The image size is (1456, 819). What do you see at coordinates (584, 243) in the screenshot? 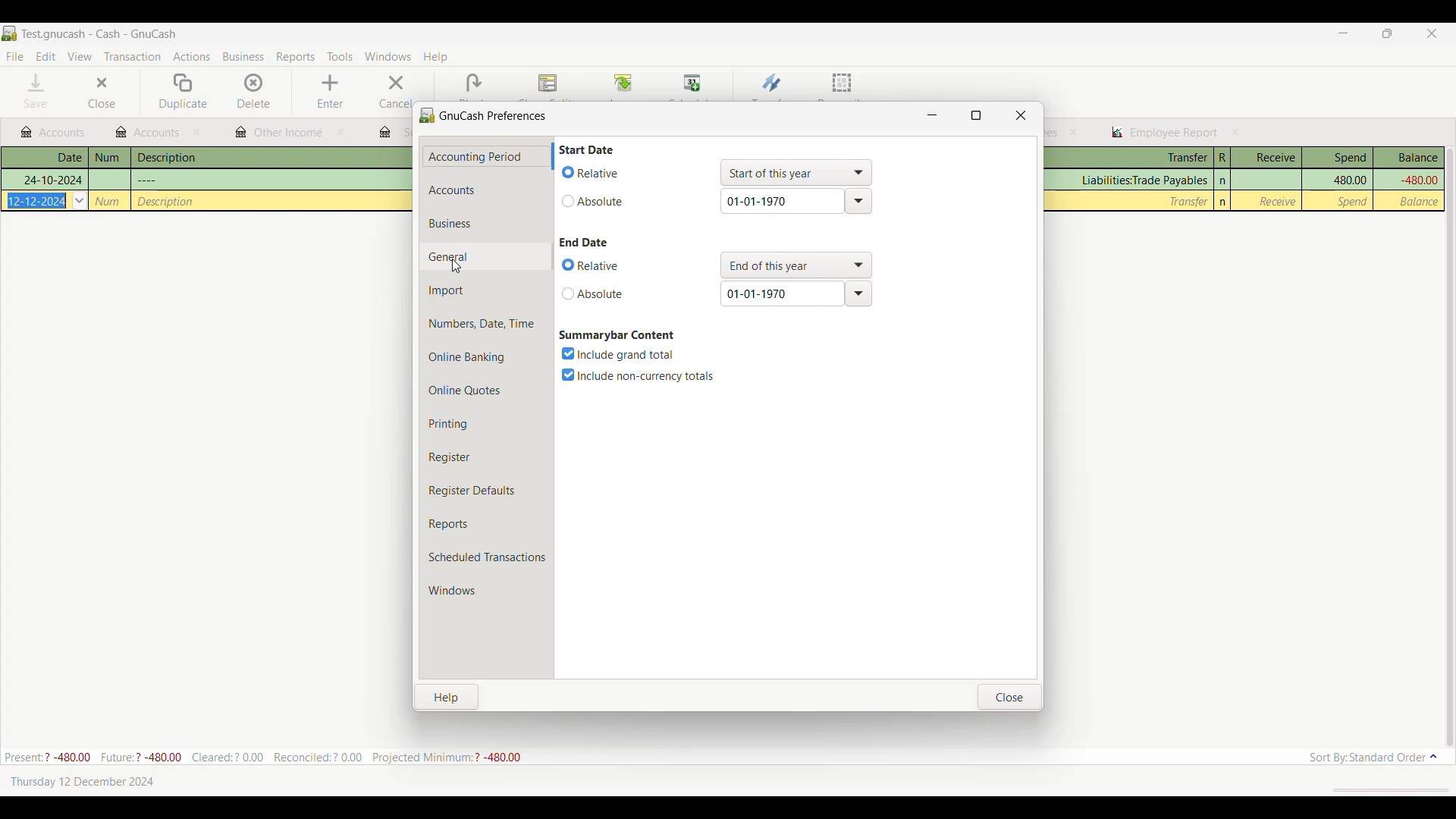
I see `Section title` at bounding box center [584, 243].